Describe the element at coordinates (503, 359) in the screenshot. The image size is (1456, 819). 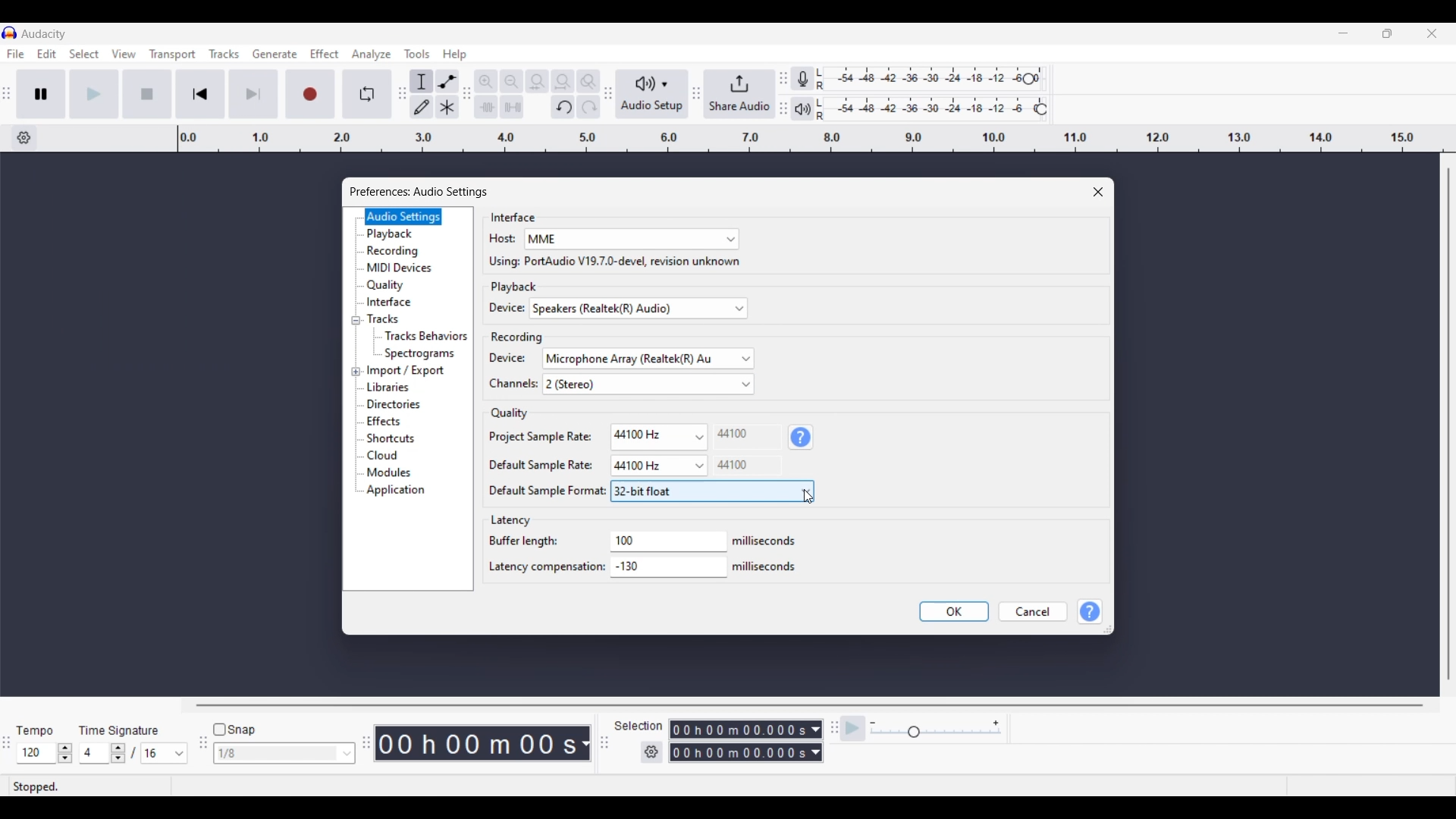
I see `Device:` at that location.